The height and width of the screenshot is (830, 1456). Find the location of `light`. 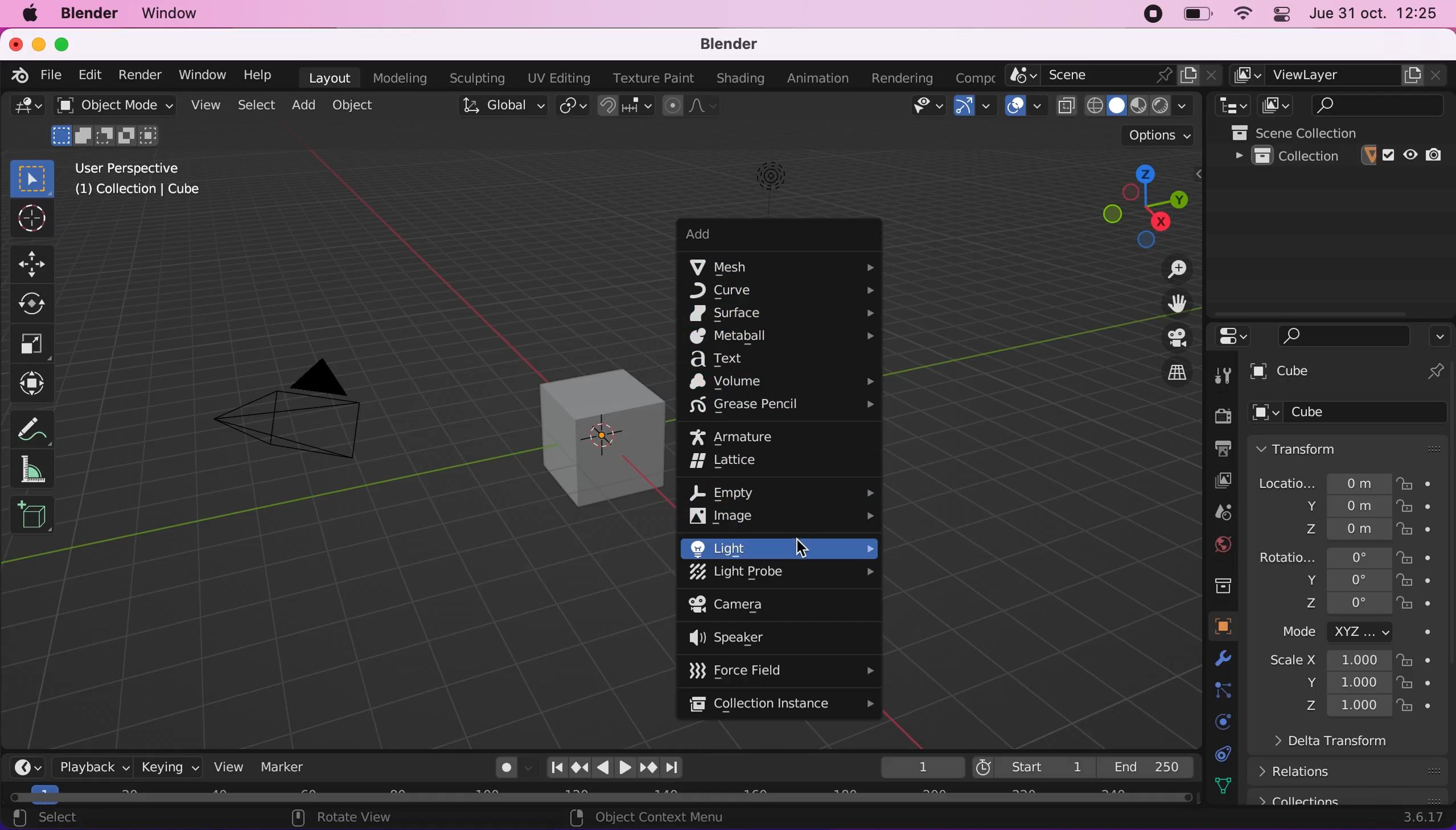

light is located at coordinates (778, 548).